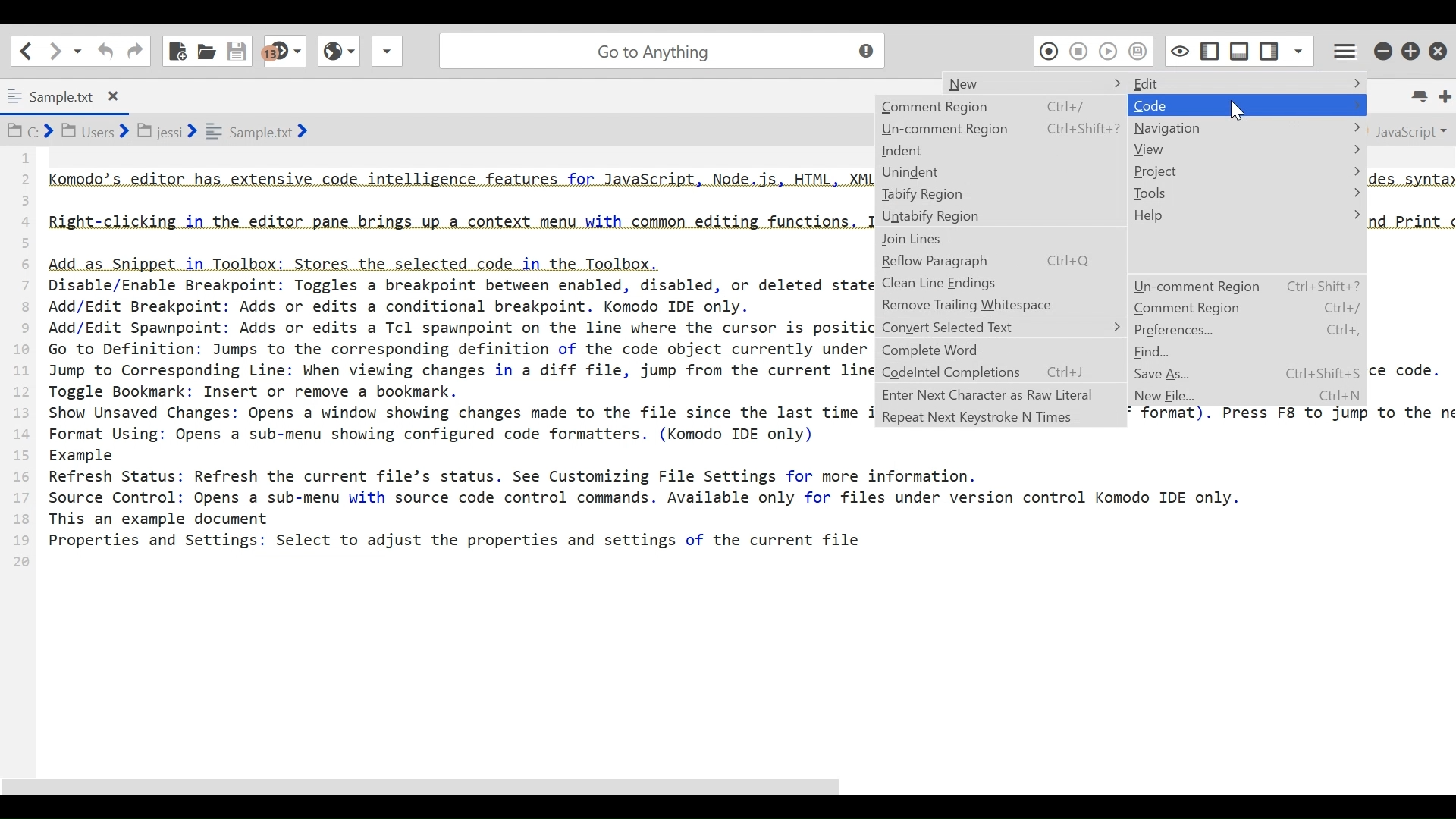 The height and width of the screenshot is (819, 1456). I want to click on Current Tab, so click(68, 94).